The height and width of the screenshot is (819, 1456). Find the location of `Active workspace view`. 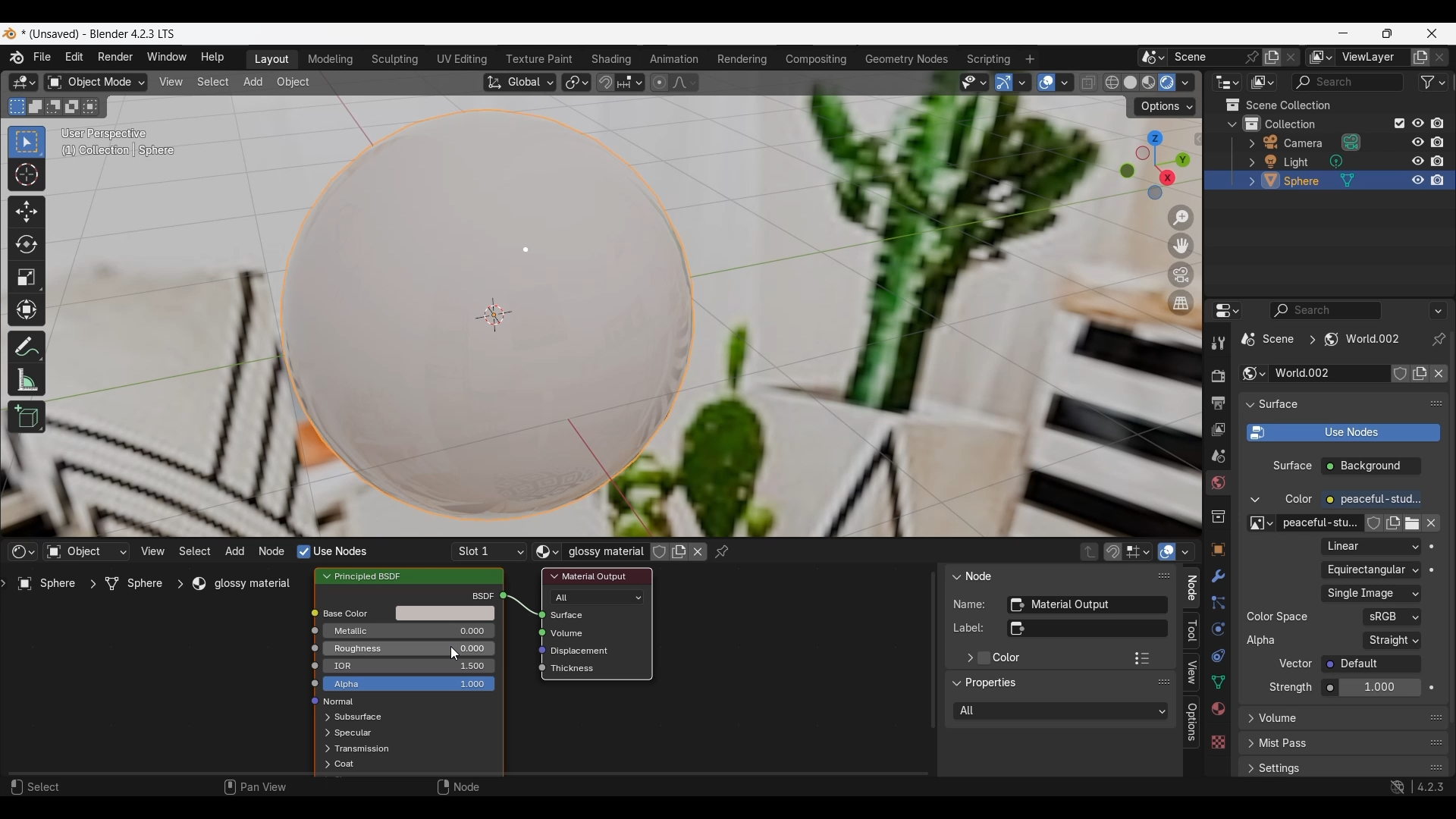

Active workspace view is located at coordinates (1320, 57).